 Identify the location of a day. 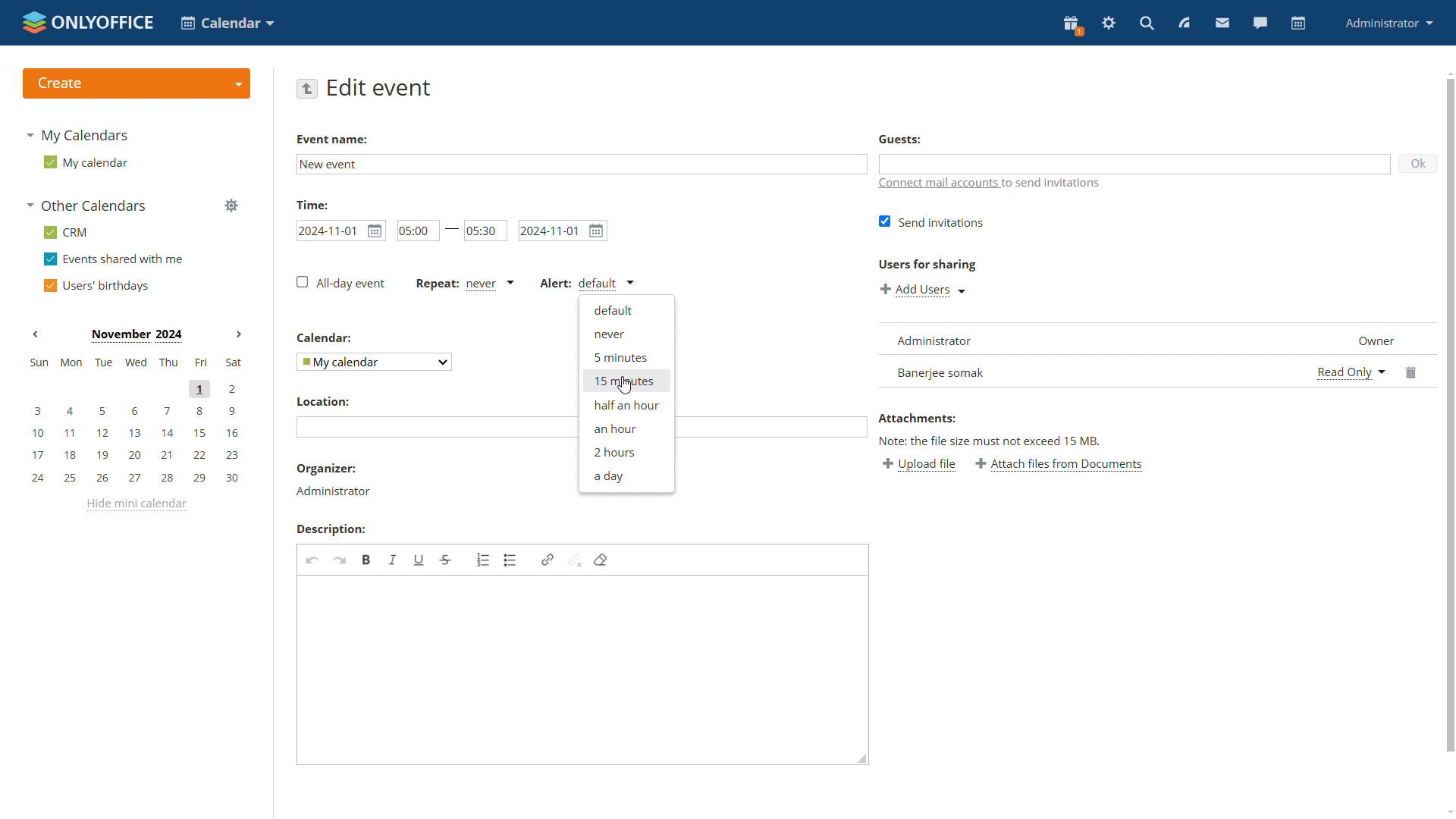
(626, 477).